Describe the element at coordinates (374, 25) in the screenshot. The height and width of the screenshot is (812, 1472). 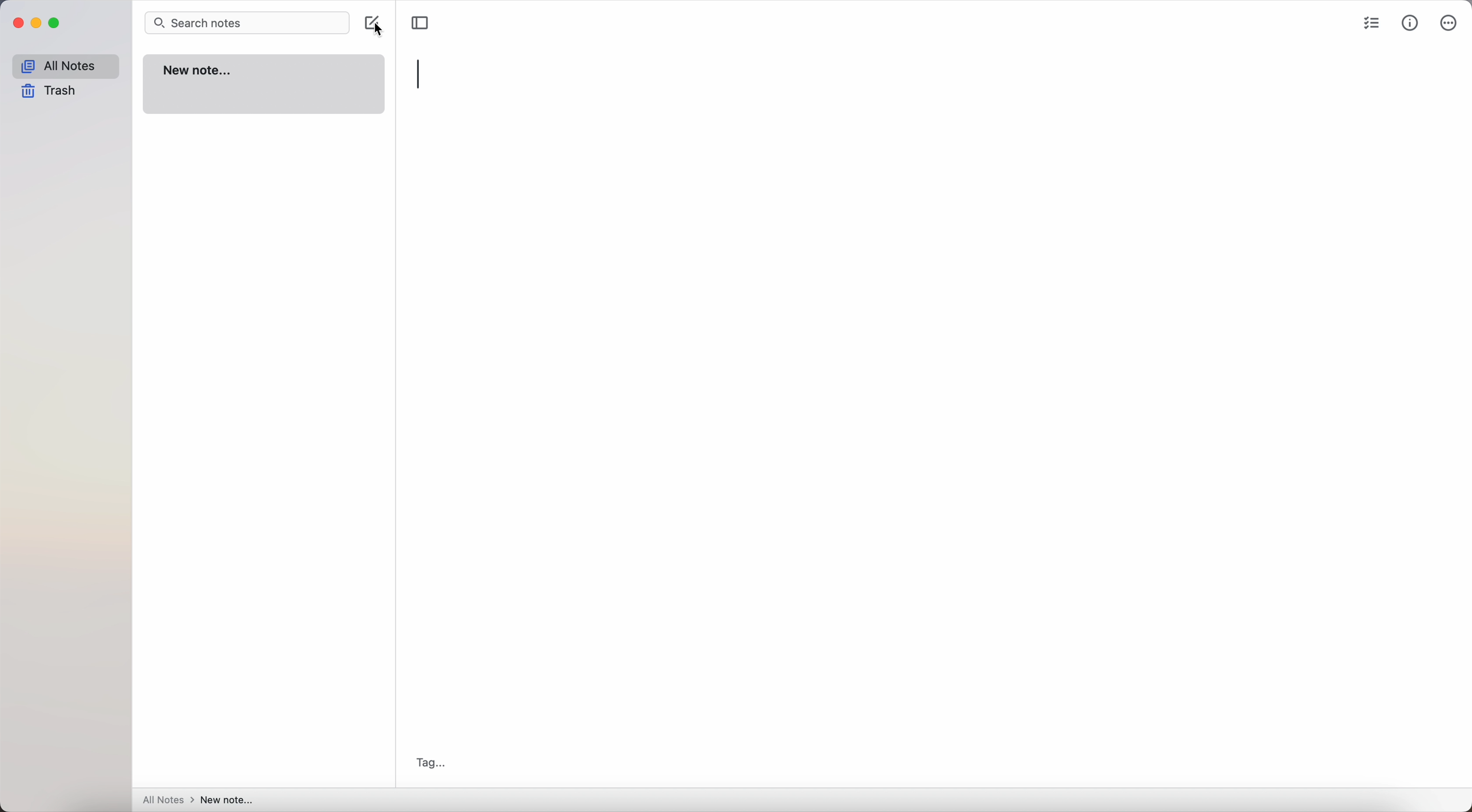
I see `create note` at that location.